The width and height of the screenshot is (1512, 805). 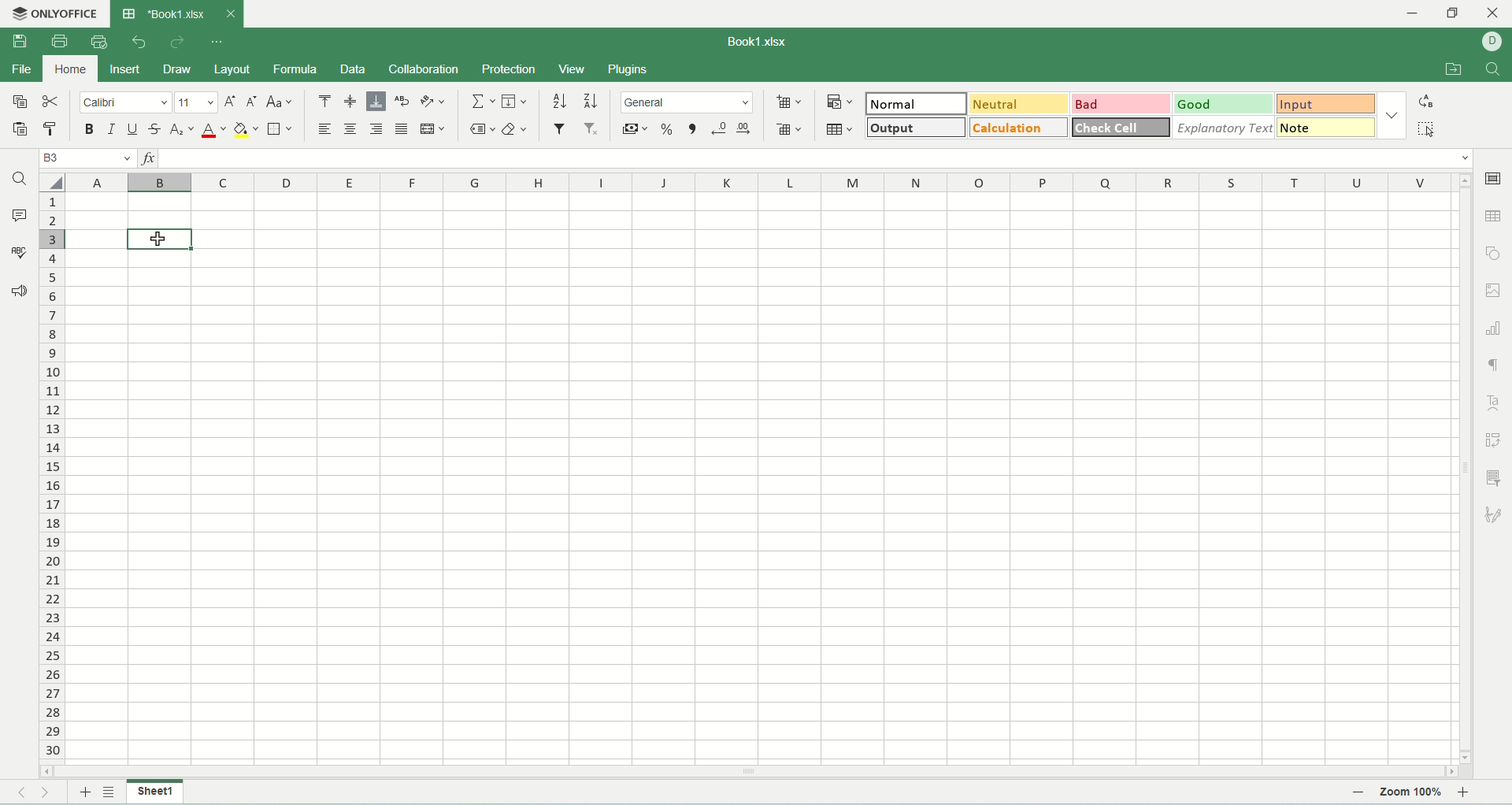 I want to click on decrease decimal, so click(x=720, y=128).